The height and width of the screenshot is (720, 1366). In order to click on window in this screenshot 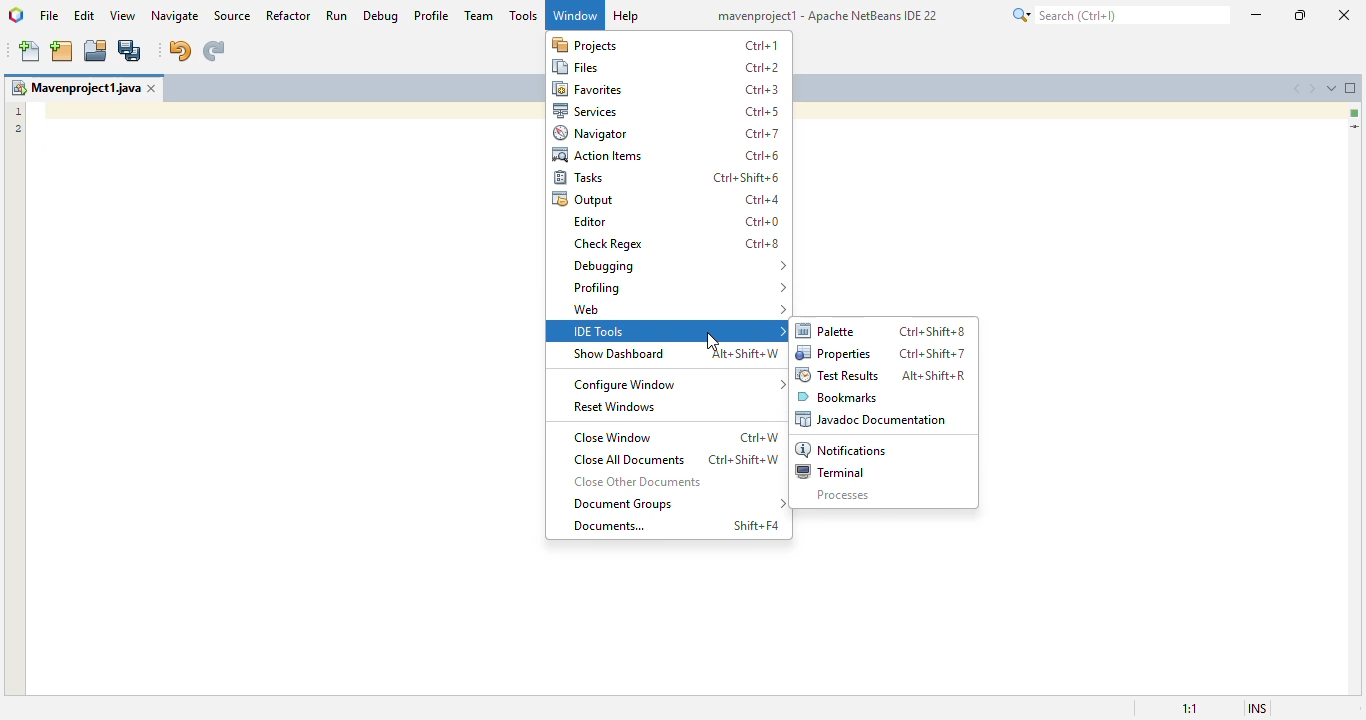, I will do `click(575, 14)`.